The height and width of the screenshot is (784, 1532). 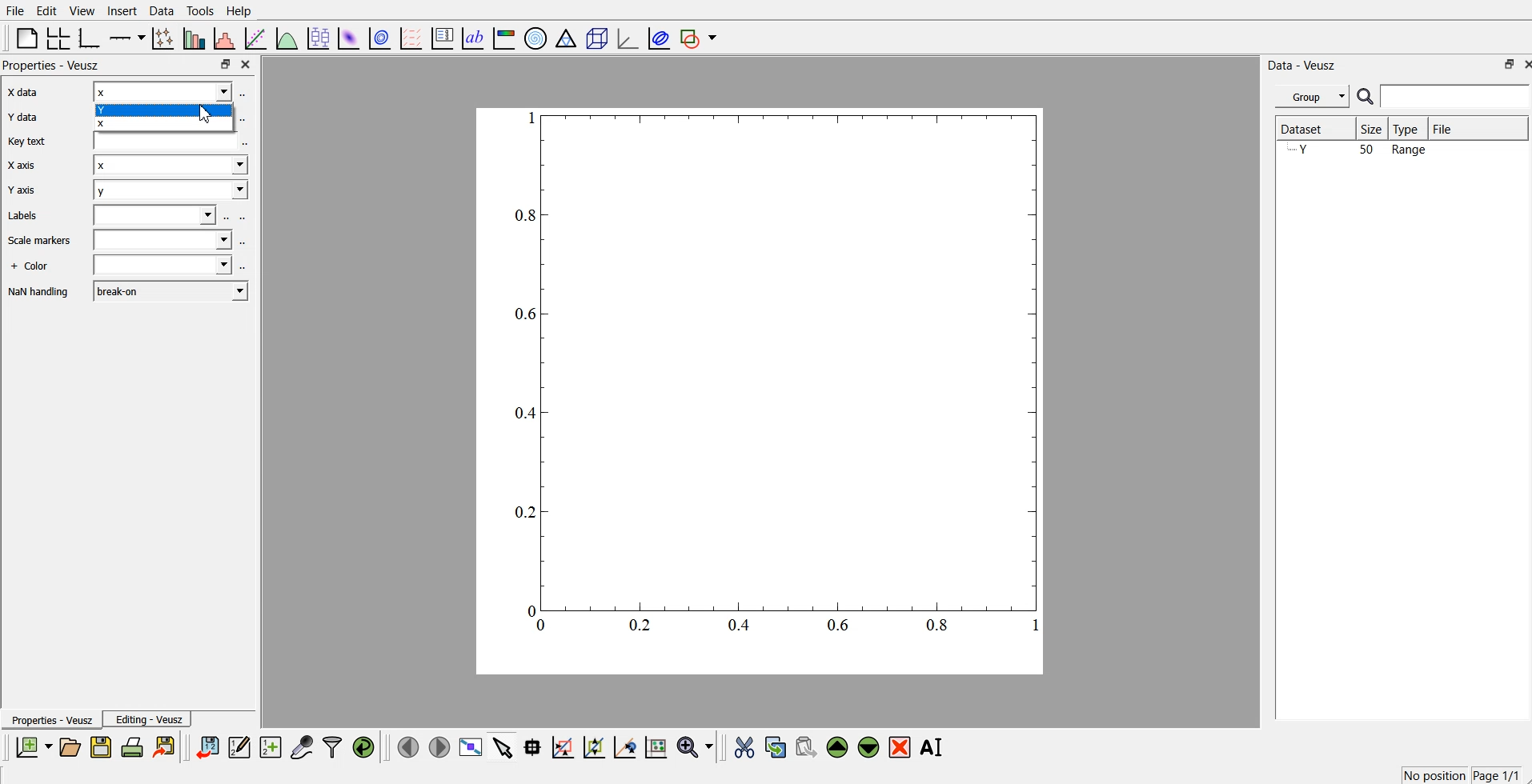 I want to click on minimise, so click(x=225, y=62).